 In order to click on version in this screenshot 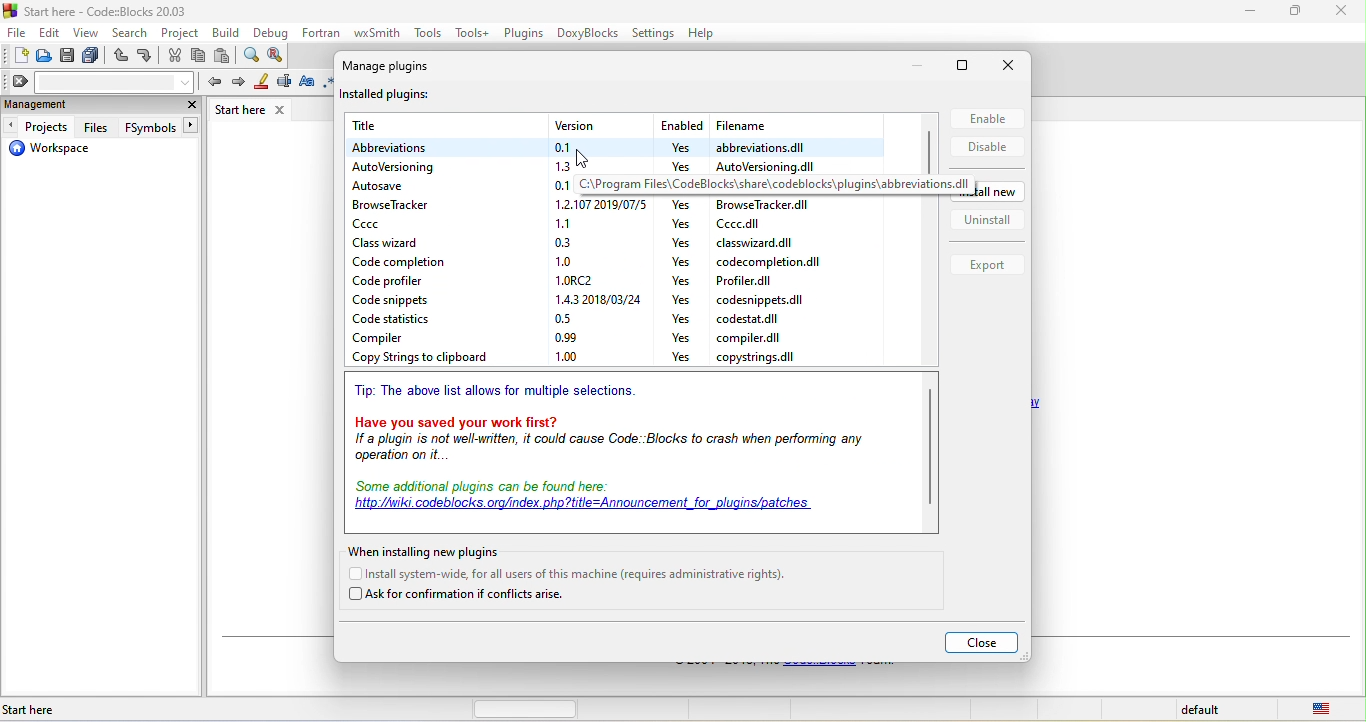, I will do `click(602, 125)`.